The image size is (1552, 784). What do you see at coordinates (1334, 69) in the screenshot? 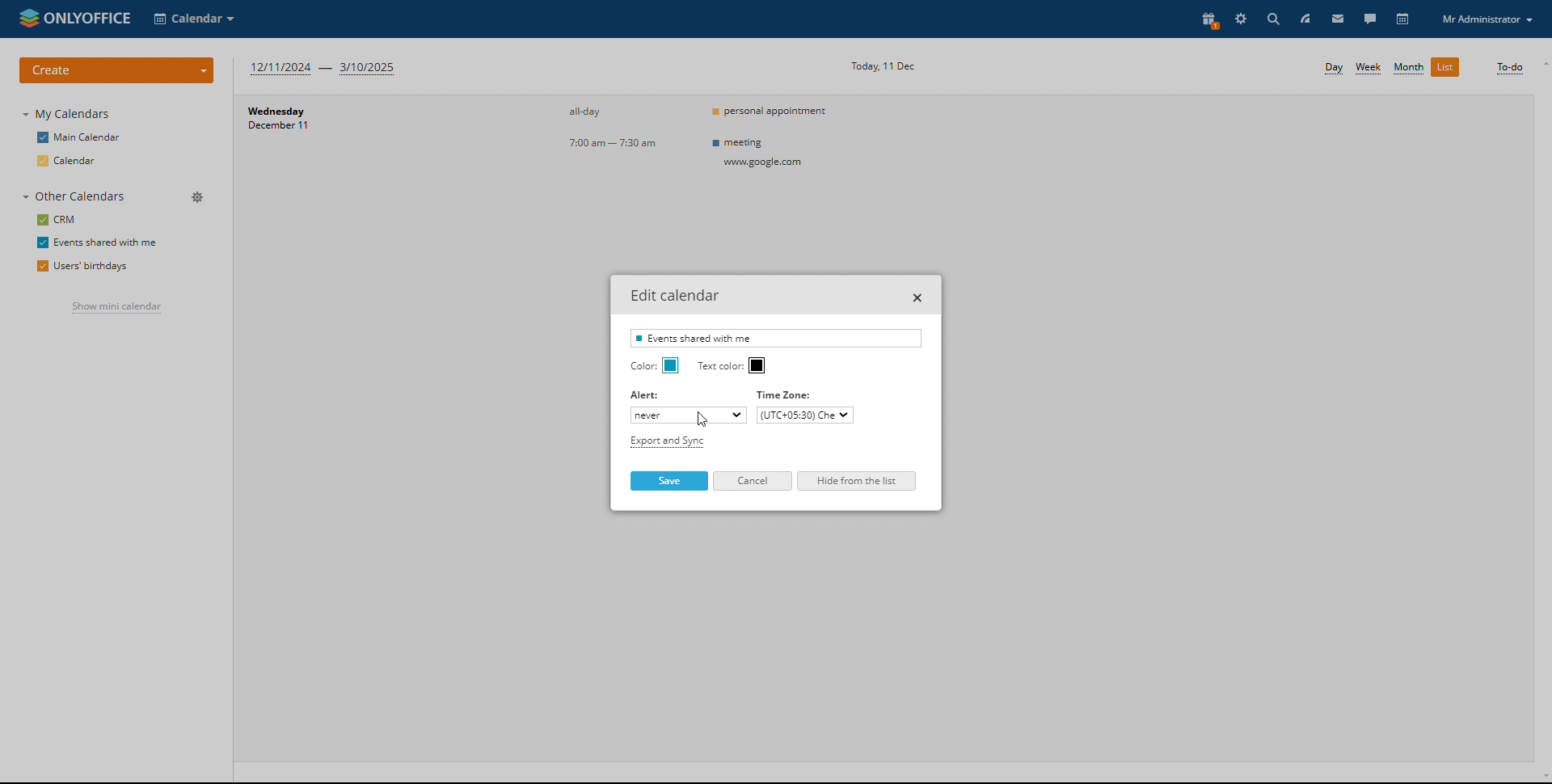
I see `day view` at bounding box center [1334, 69].